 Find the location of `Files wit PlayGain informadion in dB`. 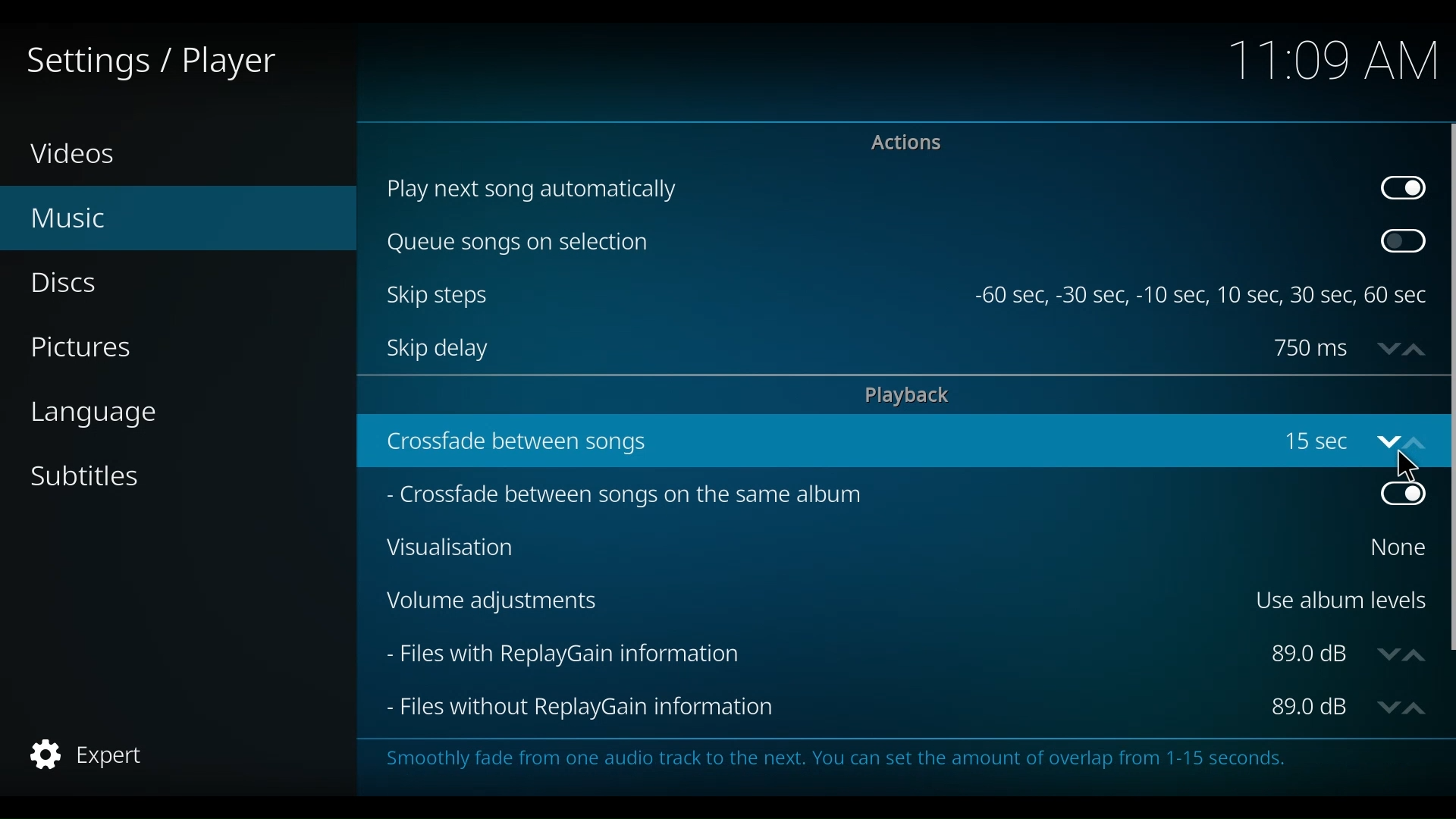

Files wit PlayGain informadion in dB is located at coordinates (1311, 654).